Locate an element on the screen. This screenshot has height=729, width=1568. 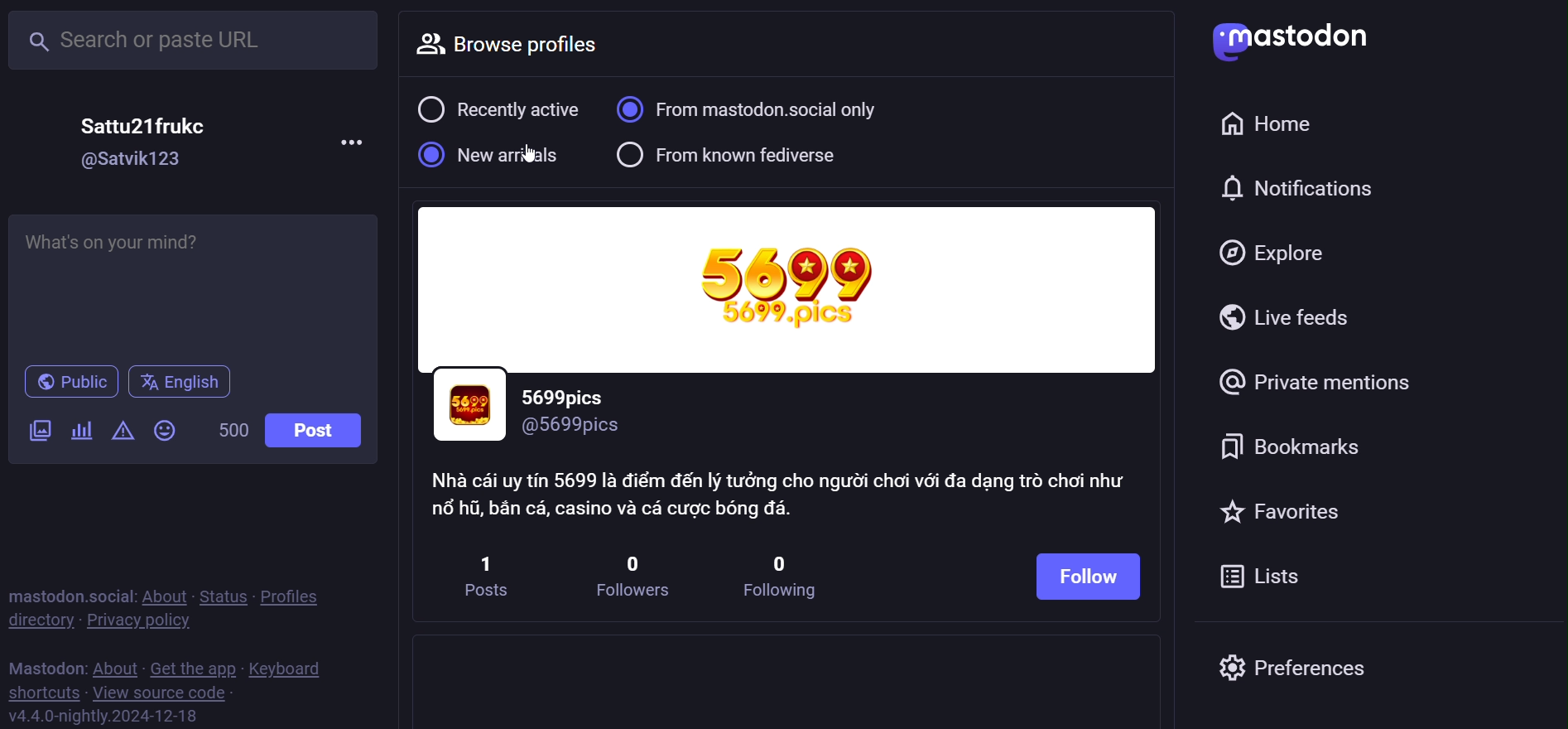
preferences is located at coordinates (1303, 664).